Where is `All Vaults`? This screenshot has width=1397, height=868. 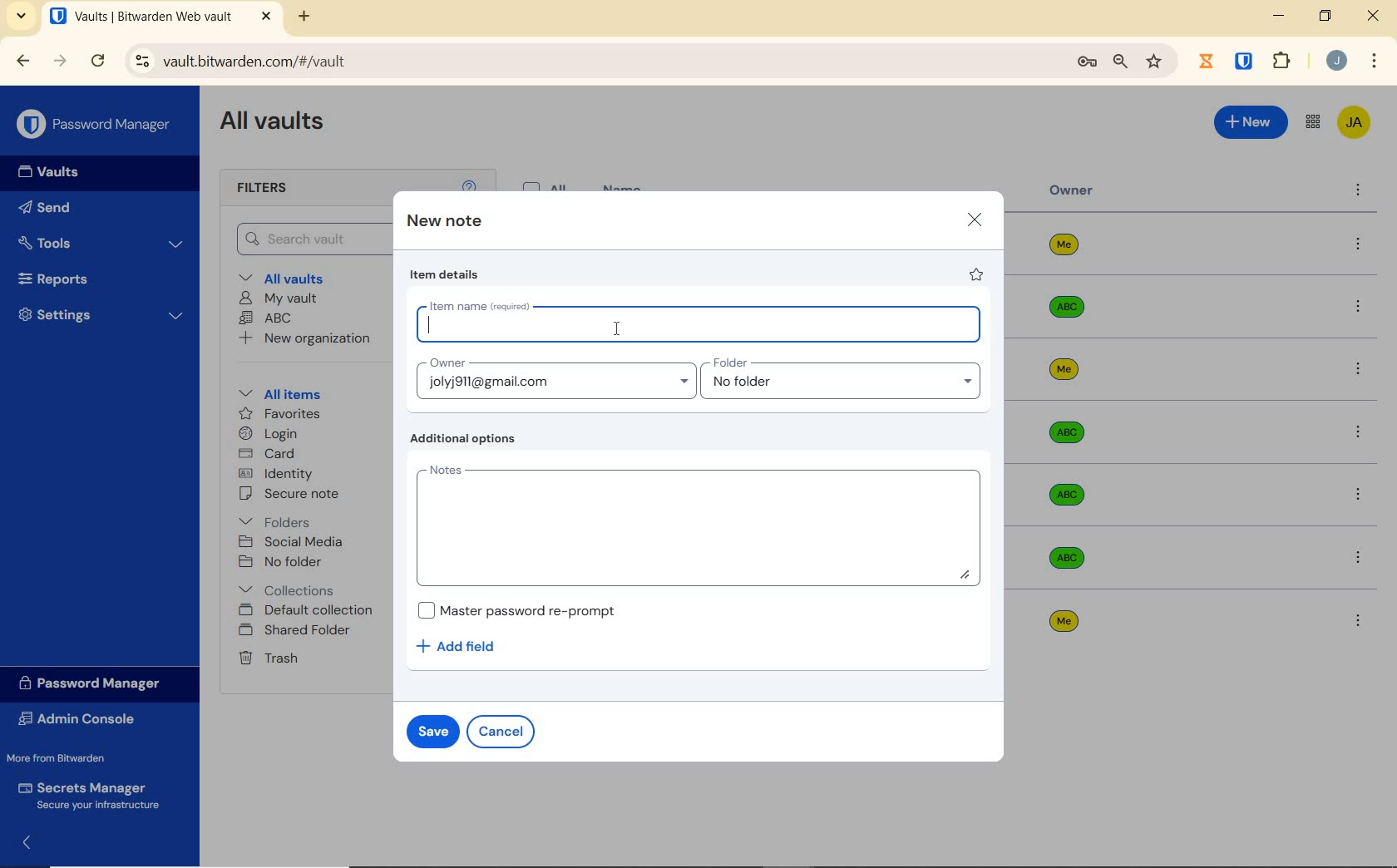 All Vaults is located at coordinates (279, 126).